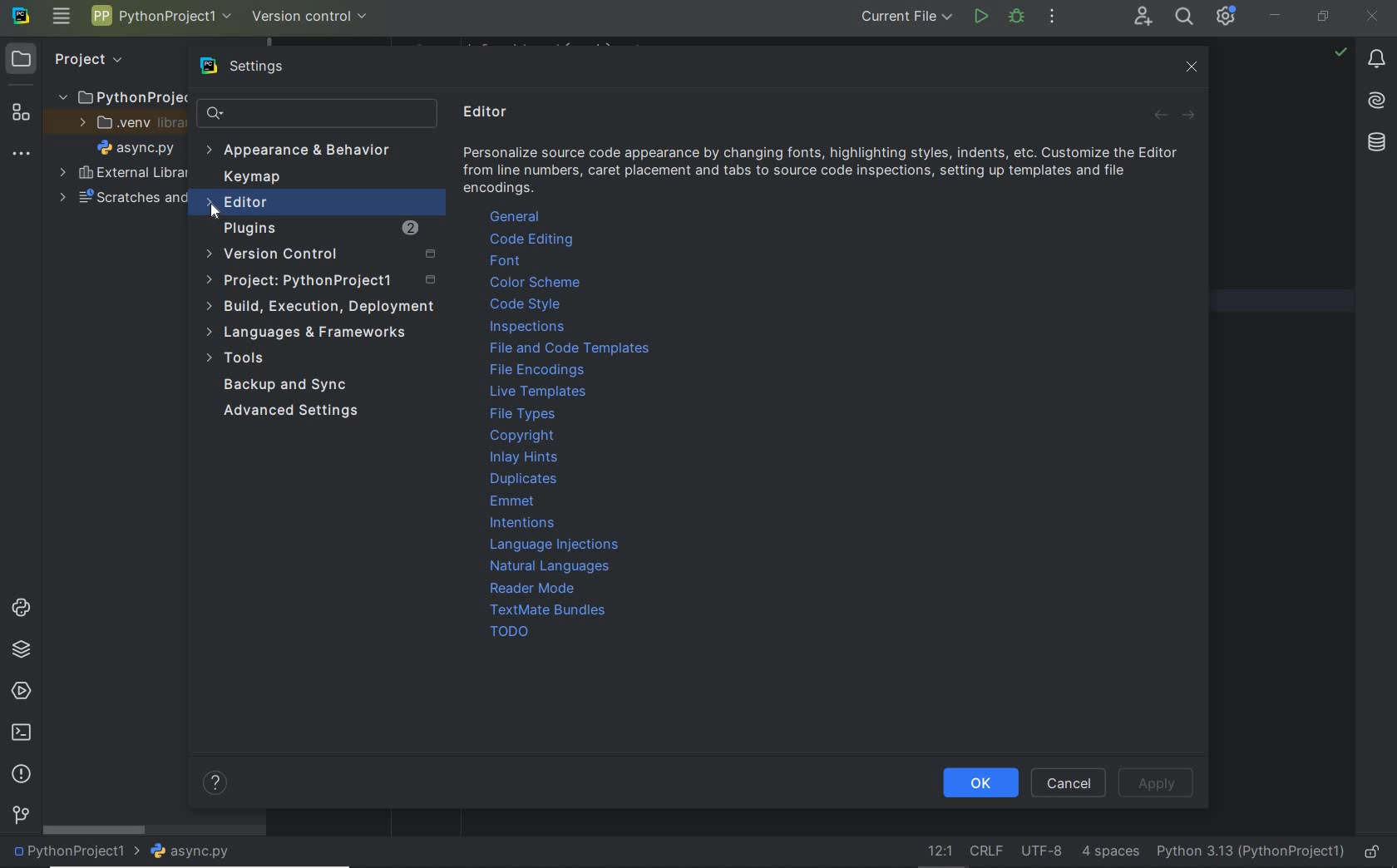 This screenshot has height=868, width=1397. What do you see at coordinates (20, 116) in the screenshot?
I see `structure` at bounding box center [20, 116].